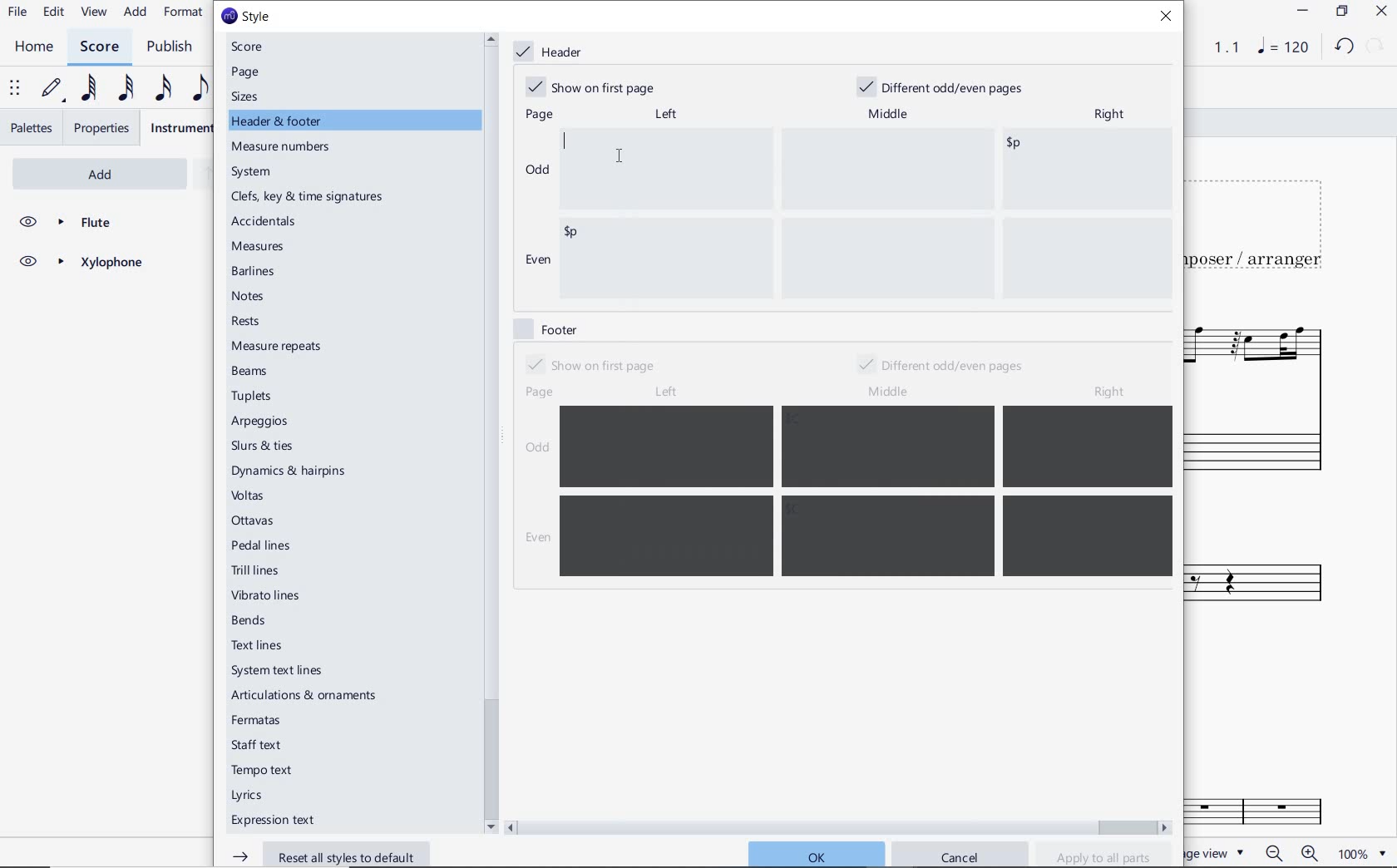 The image size is (1397, 868). I want to click on measure numbers, so click(284, 148).